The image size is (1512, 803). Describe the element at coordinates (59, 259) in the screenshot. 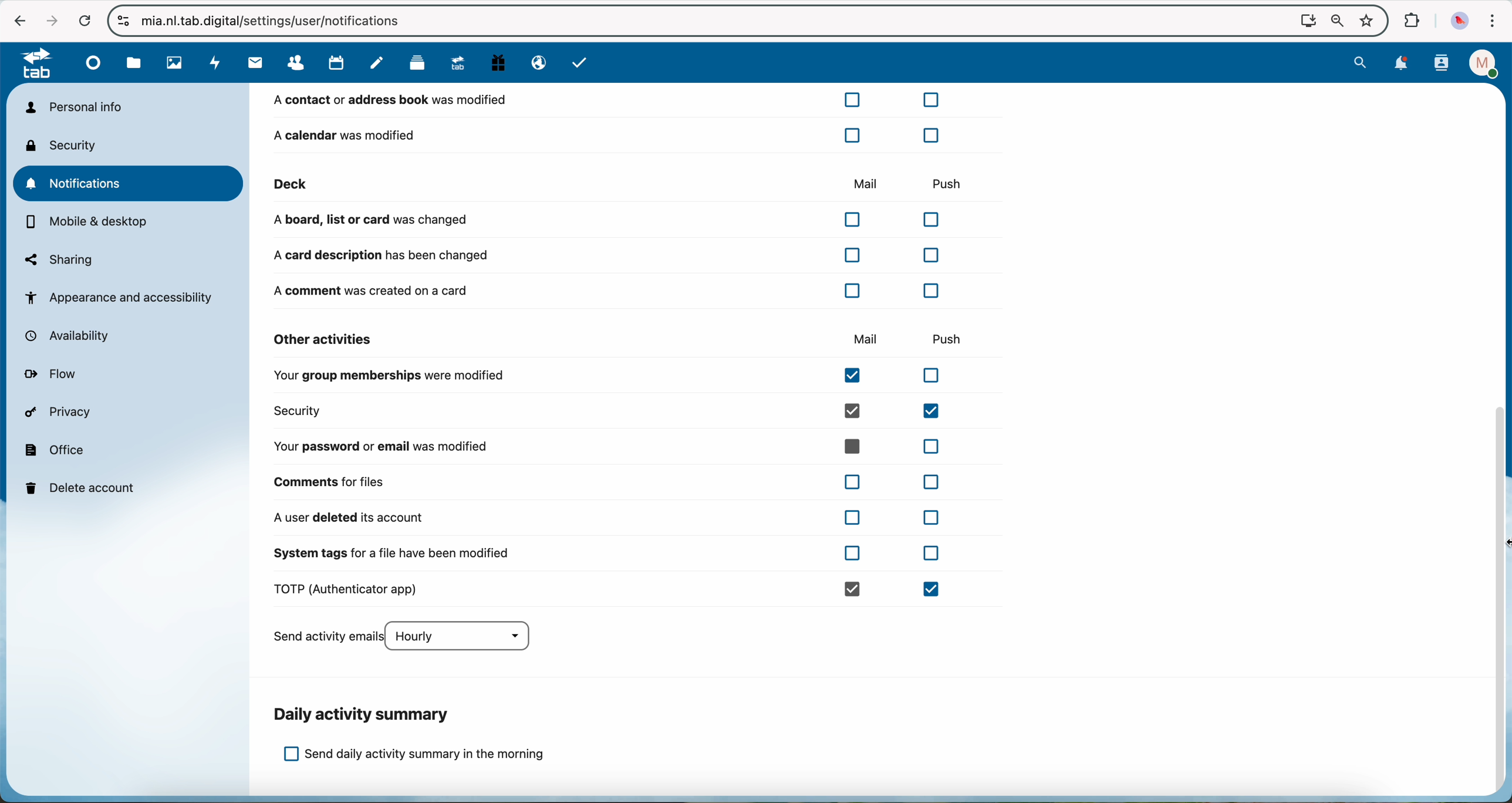

I see `sharing` at that location.